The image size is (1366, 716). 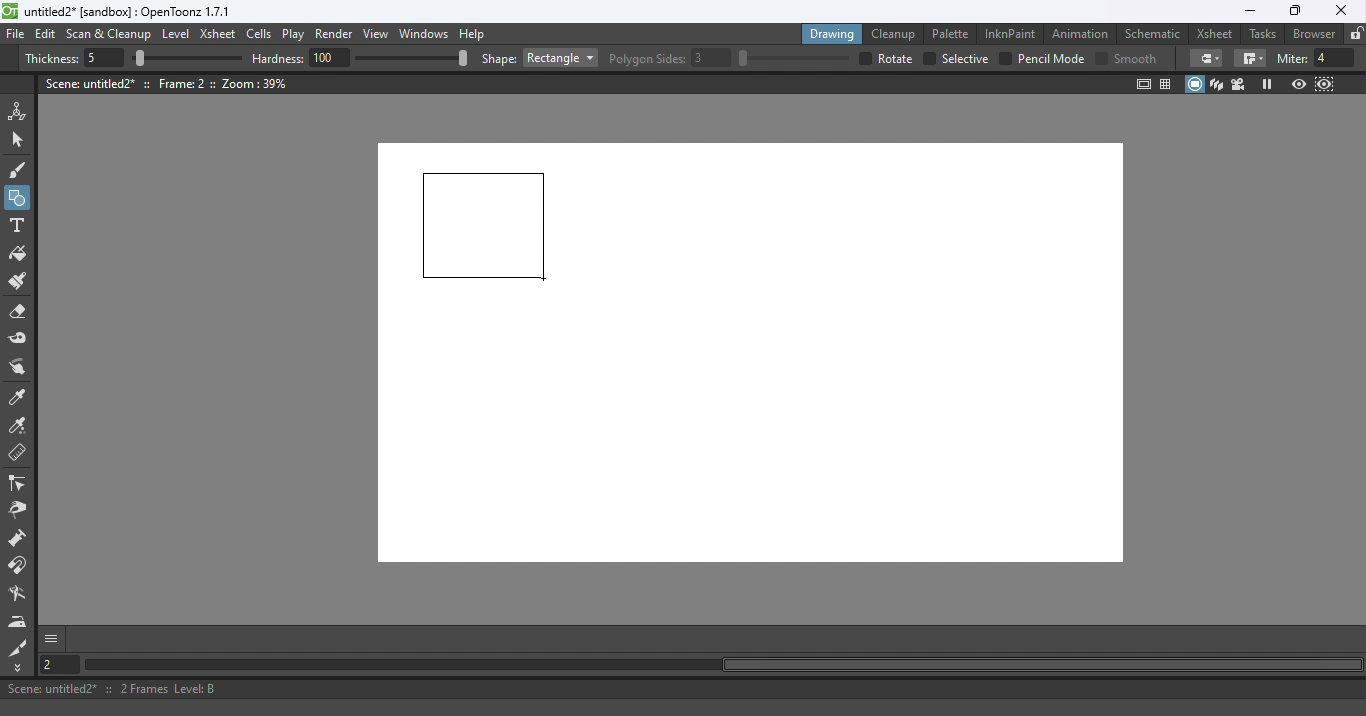 What do you see at coordinates (19, 566) in the screenshot?
I see `Magnet tool` at bounding box center [19, 566].